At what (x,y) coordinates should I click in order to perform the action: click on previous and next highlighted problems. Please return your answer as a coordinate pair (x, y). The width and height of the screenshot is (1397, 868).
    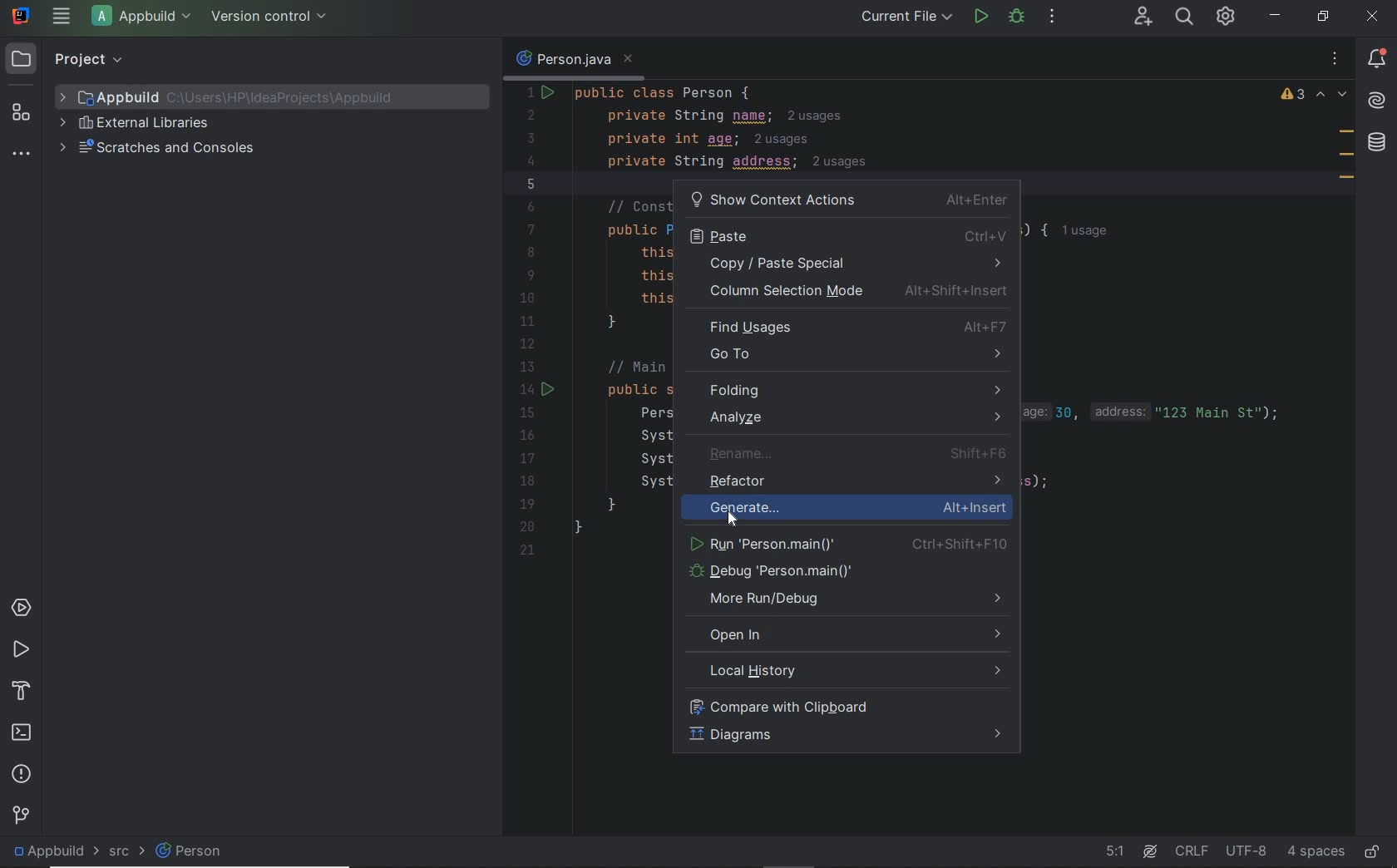
    Looking at the image, I should click on (1332, 96).